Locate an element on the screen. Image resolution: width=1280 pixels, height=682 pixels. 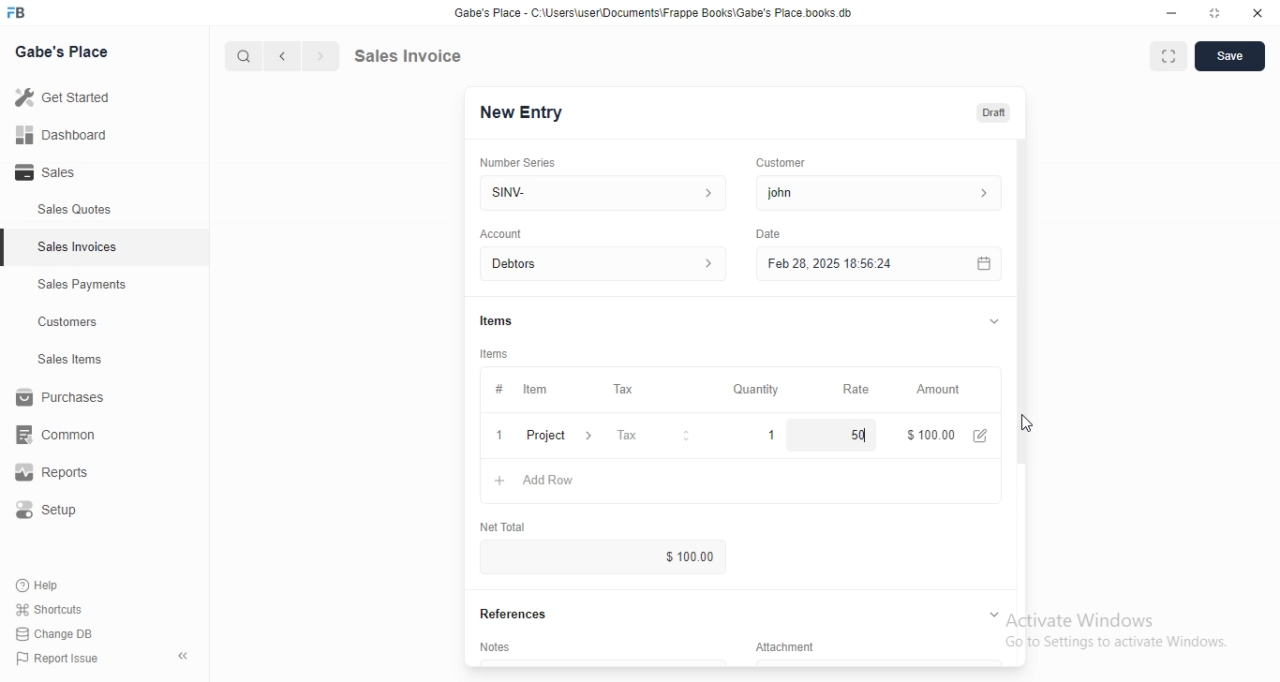
Shortcuts is located at coordinates (61, 608).